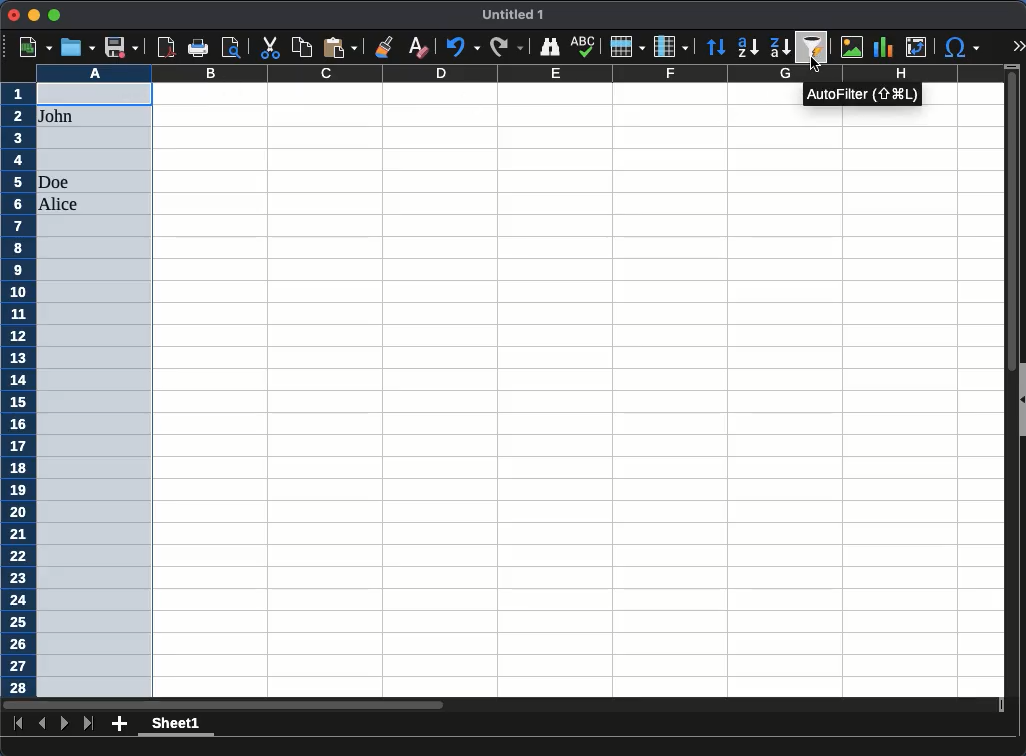 The height and width of the screenshot is (756, 1026). I want to click on next sheet, so click(63, 723).